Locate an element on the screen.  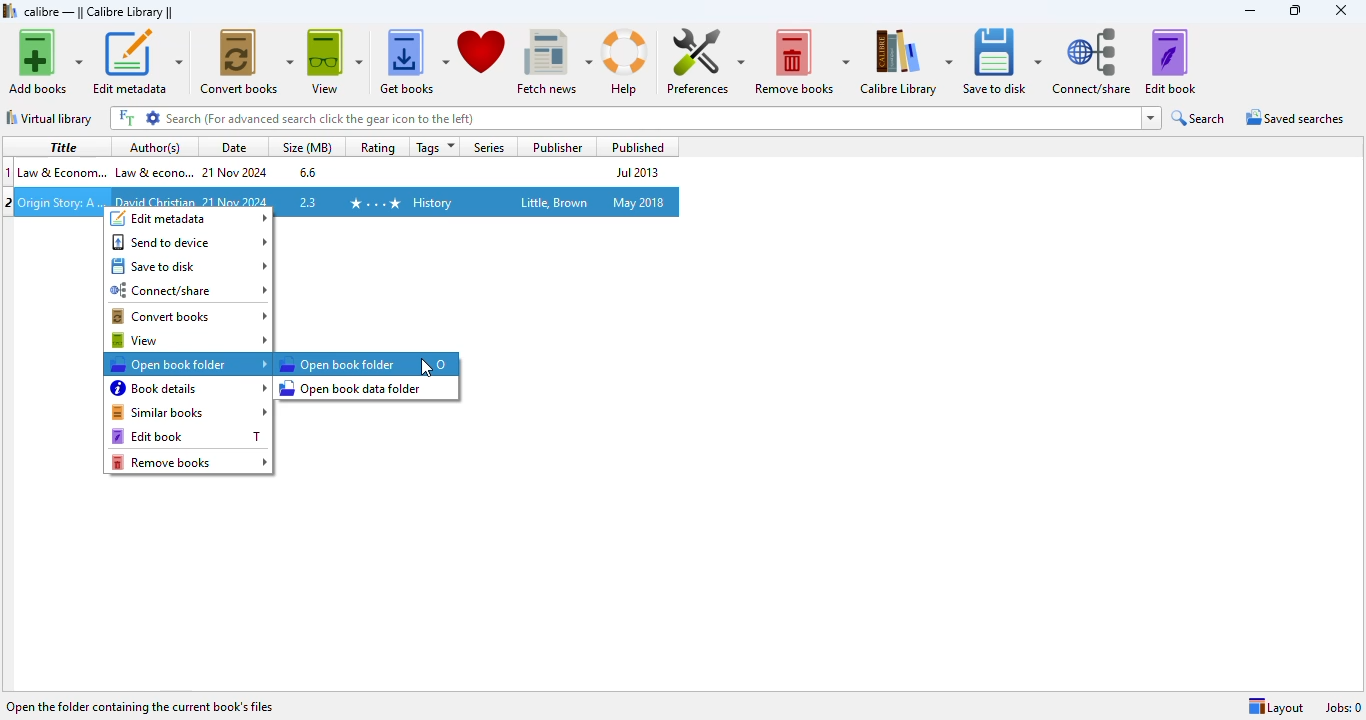
view is located at coordinates (334, 60).